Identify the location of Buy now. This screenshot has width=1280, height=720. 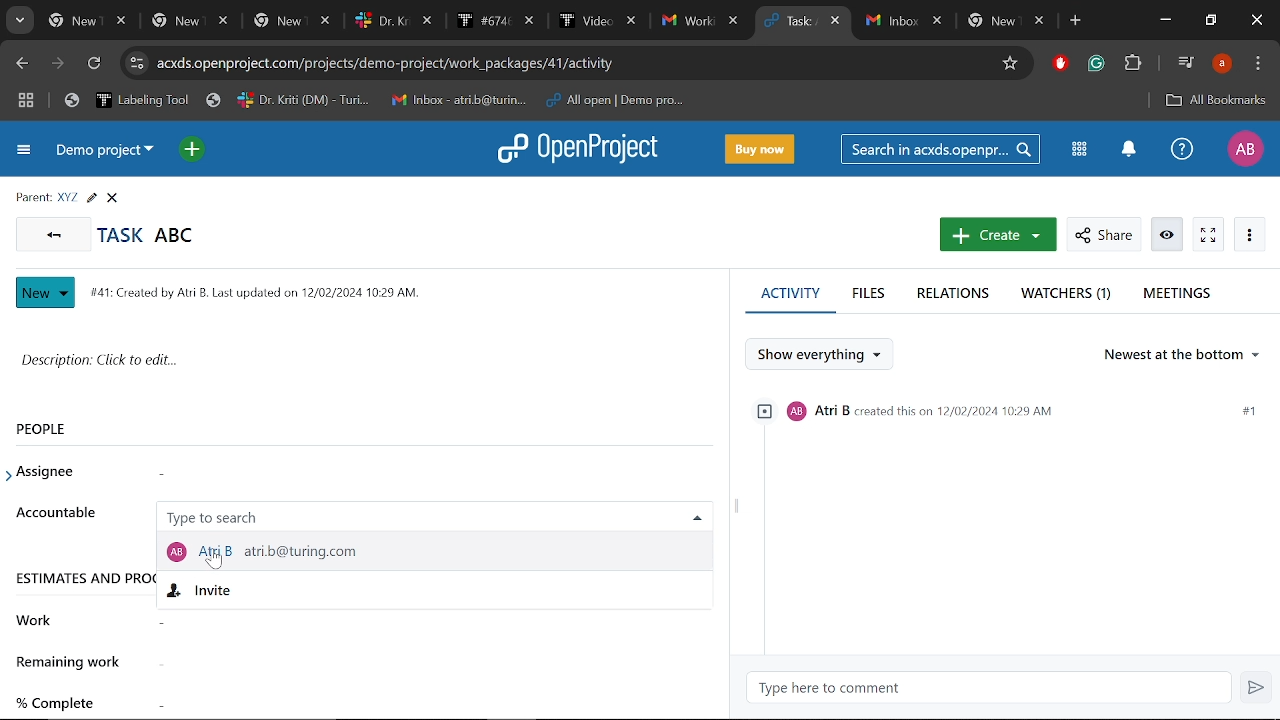
(759, 149).